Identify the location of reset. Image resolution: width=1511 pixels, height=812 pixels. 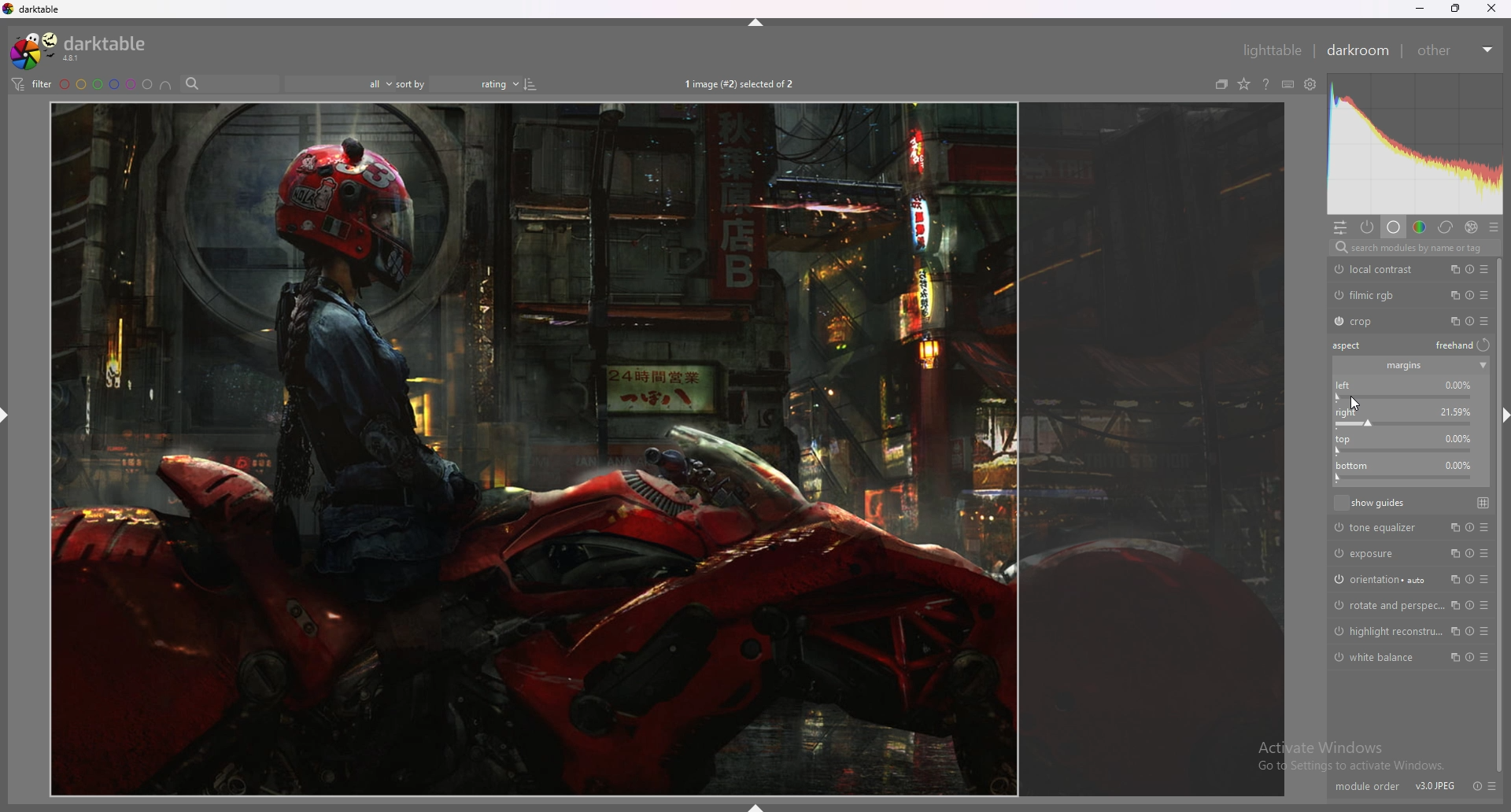
(1469, 605).